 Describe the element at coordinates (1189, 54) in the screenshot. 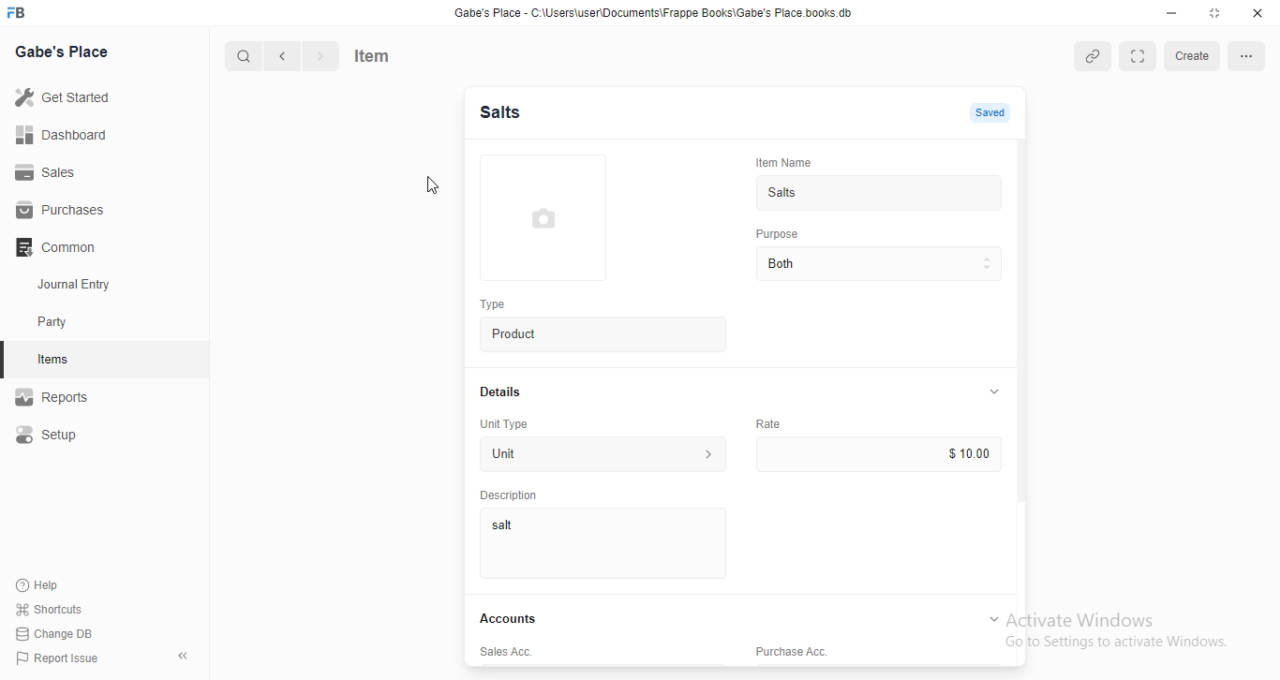

I see `create` at that location.